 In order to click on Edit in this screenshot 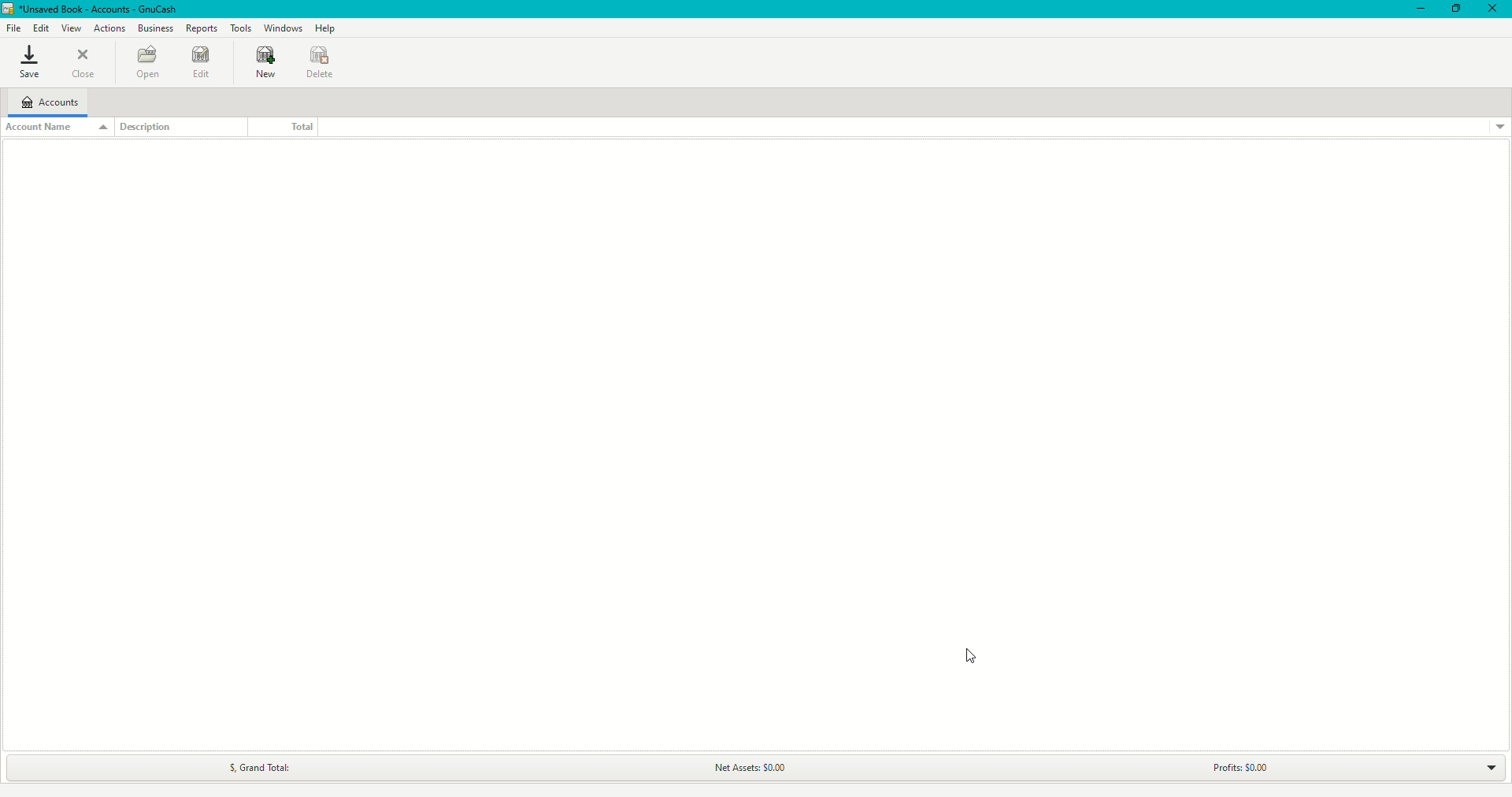, I will do `click(41, 27)`.